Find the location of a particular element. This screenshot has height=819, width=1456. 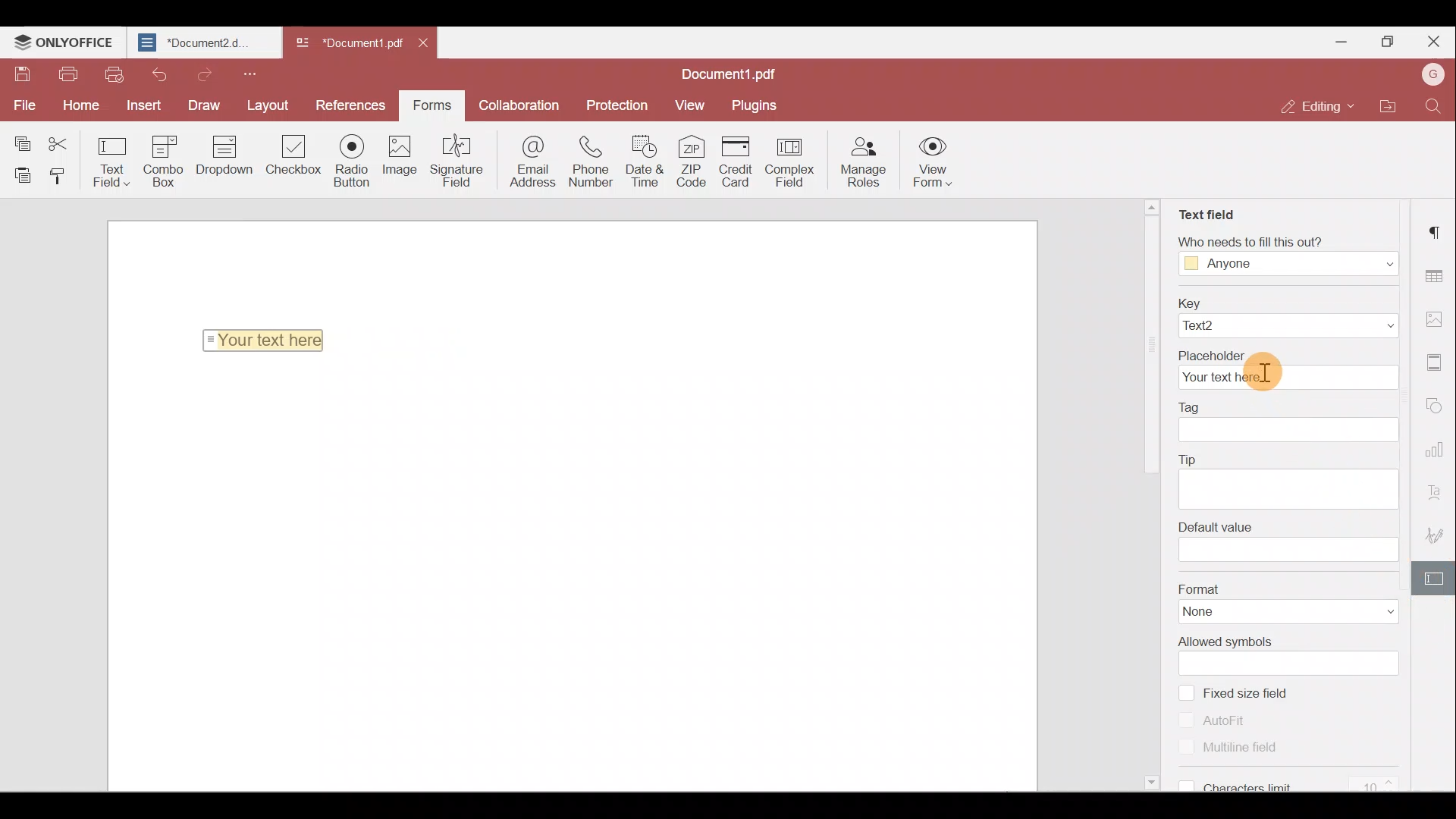

Date & time is located at coordinates (645, 165).